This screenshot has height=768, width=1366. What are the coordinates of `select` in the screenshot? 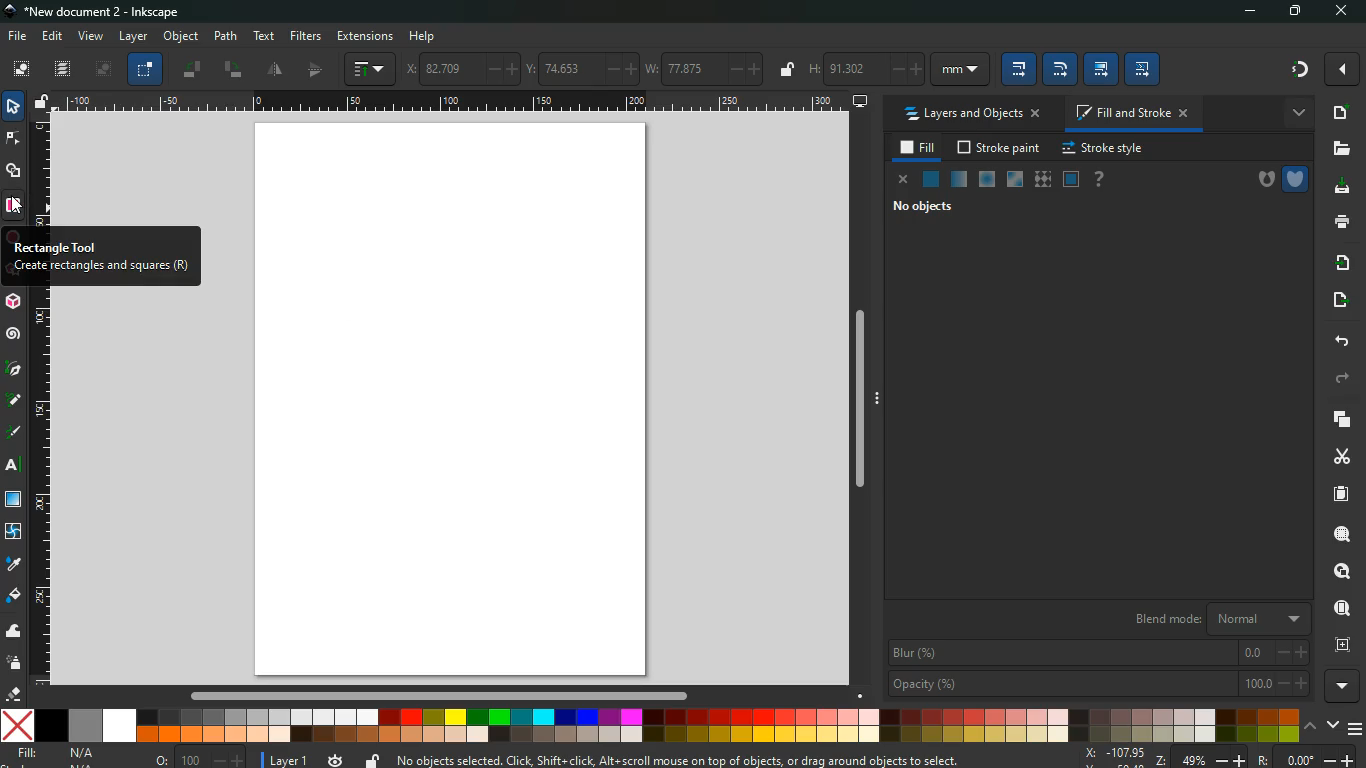 It's located at (12, 108).